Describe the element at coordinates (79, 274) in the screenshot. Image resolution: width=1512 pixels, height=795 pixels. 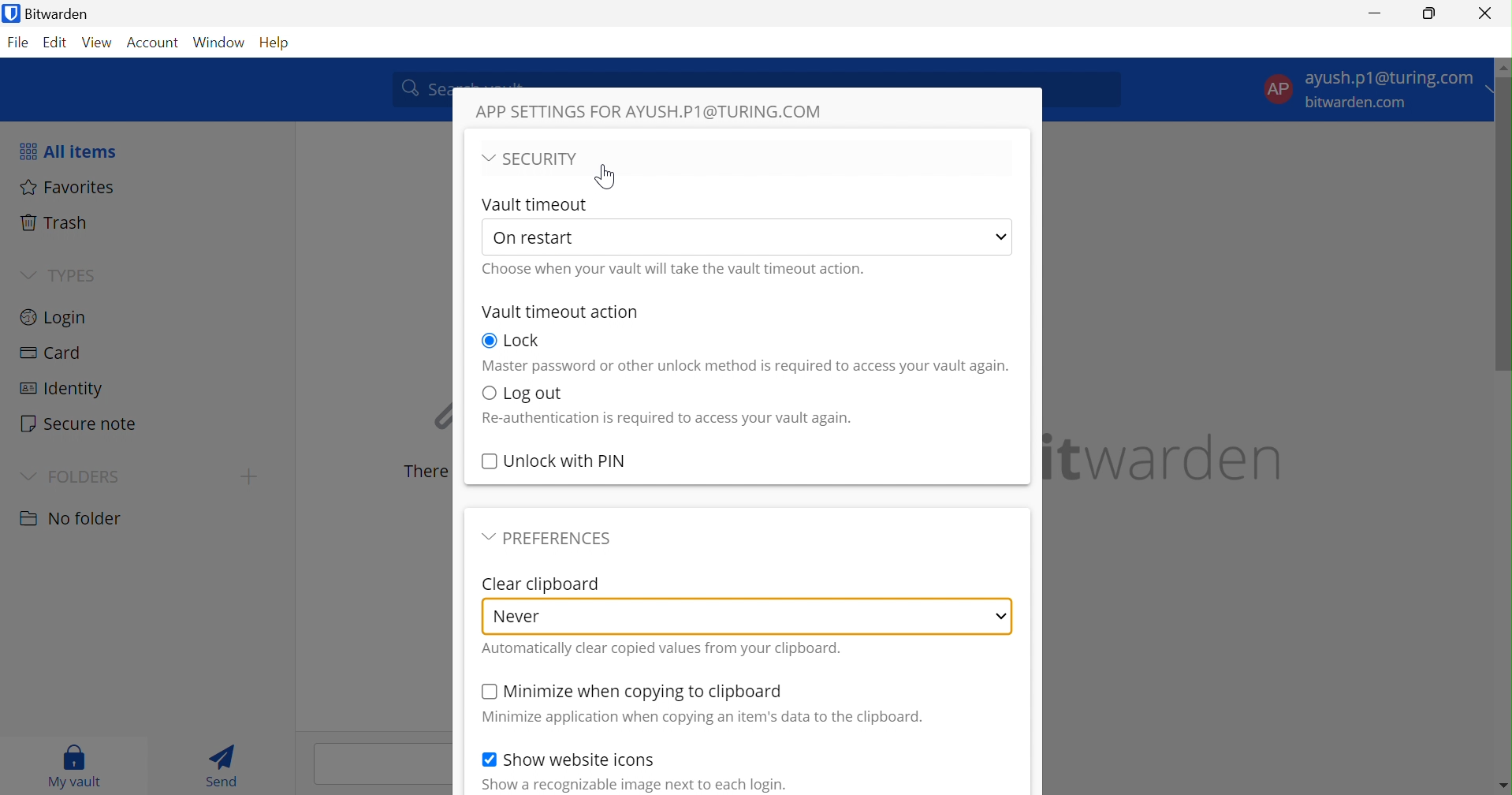
I see `TYPES` at that location.